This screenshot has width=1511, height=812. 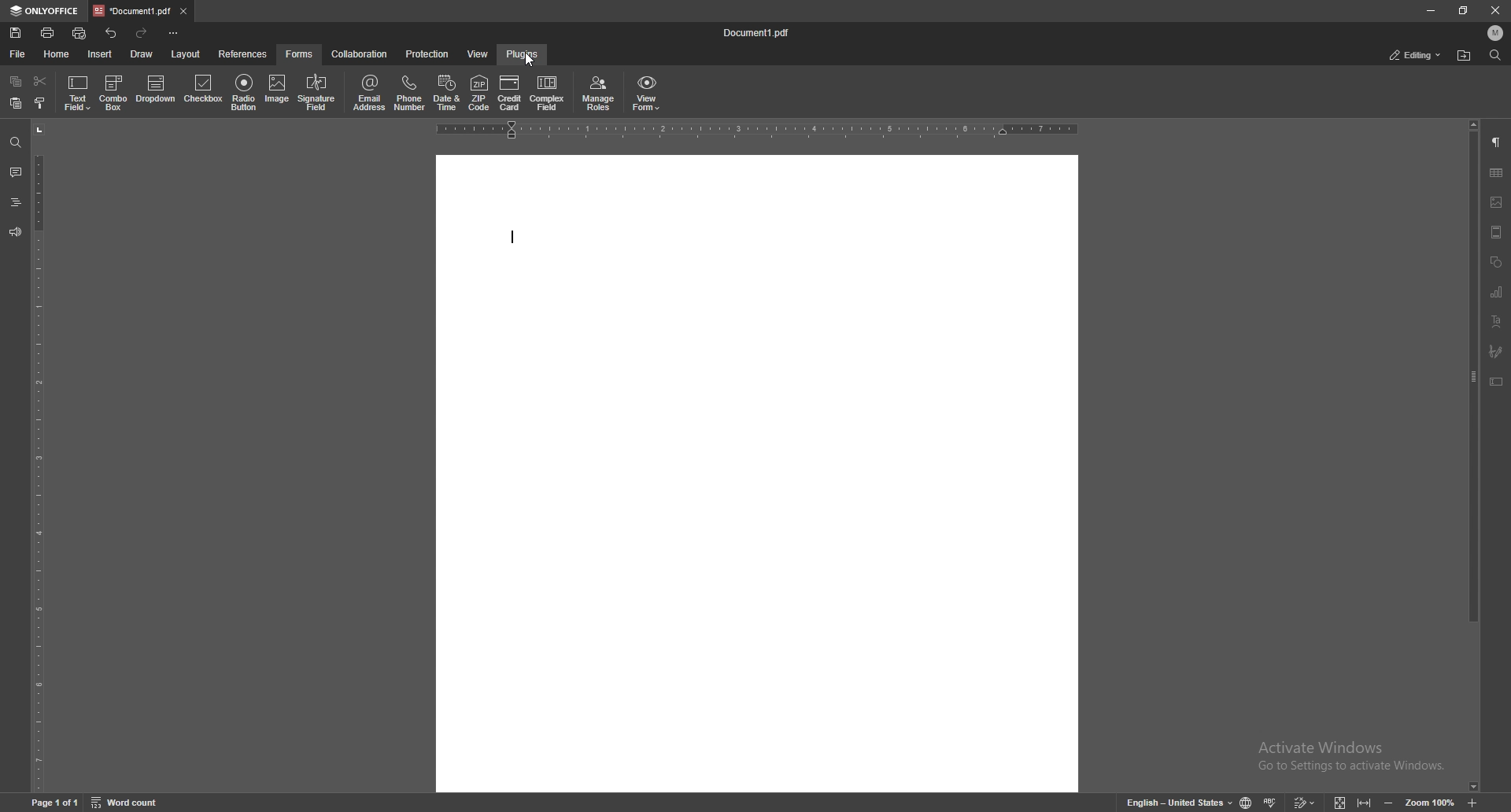 I want to click on save, so click(x=16, y=33).